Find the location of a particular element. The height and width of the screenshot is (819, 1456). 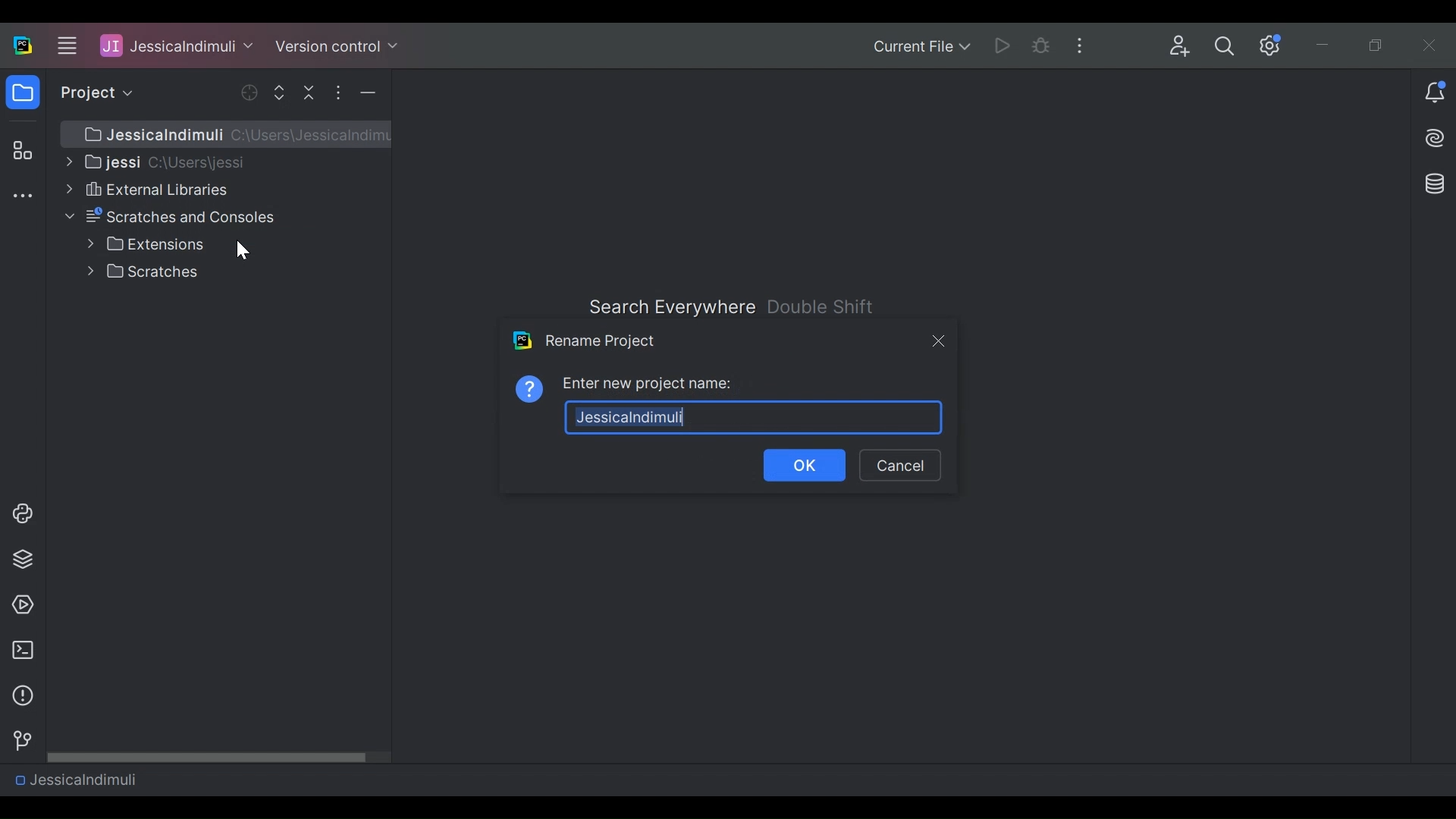

information is located at coordinates (19, 696).